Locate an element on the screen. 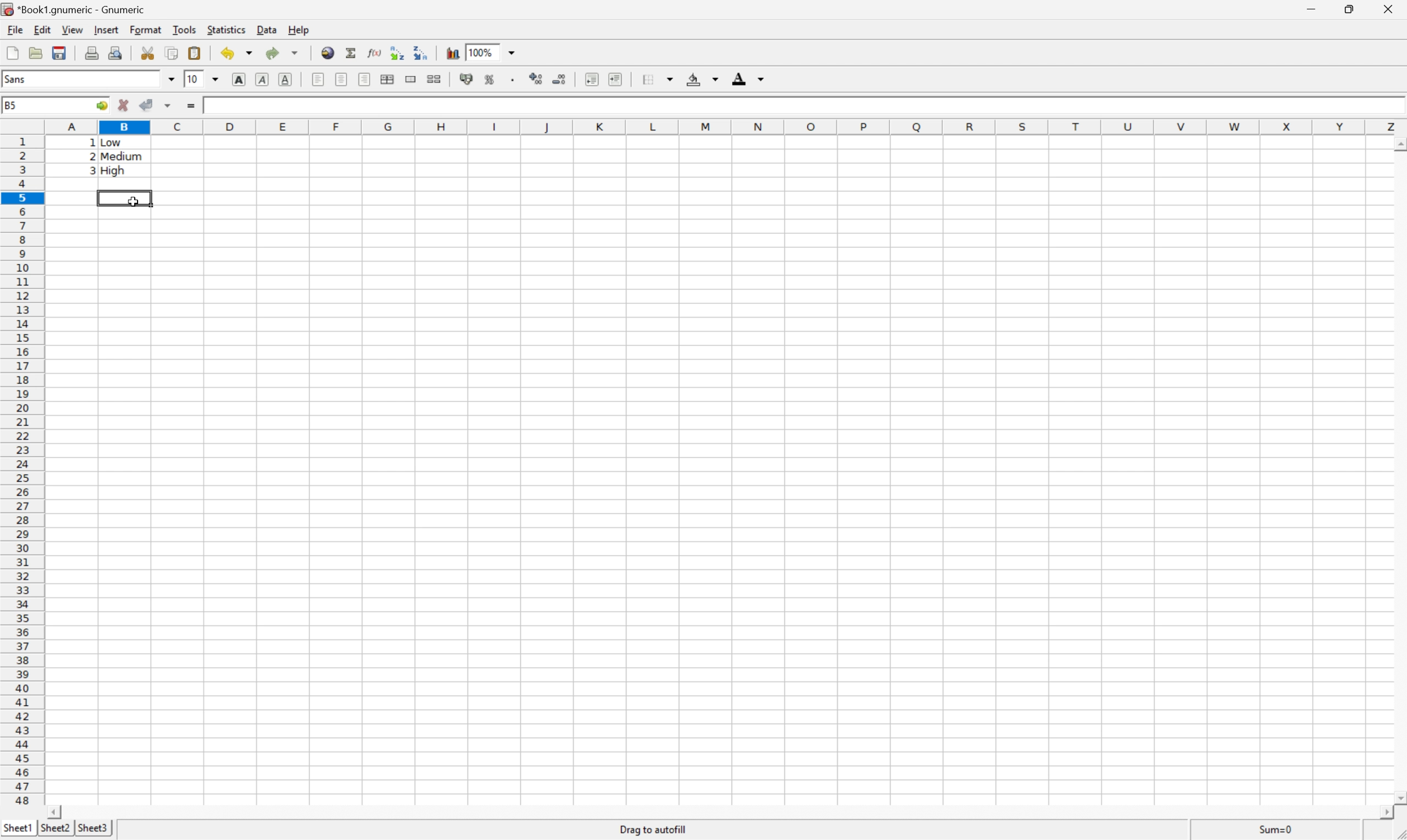 The height and width of the screenshot is (840, 1407). Merge a range of cells is located at coordinates (411, 79).